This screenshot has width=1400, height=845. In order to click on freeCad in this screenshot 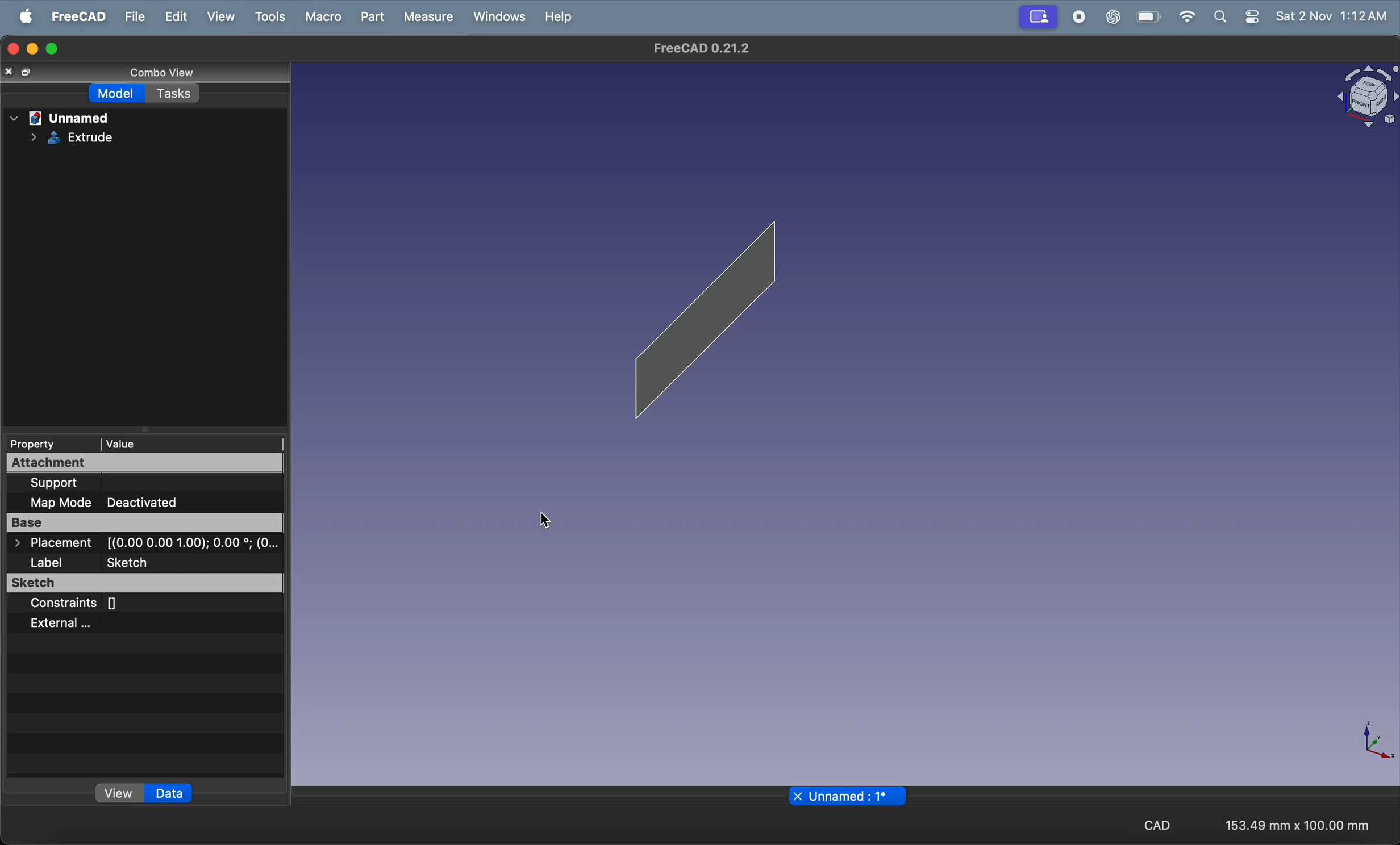, I will do `click(74, 18)`.